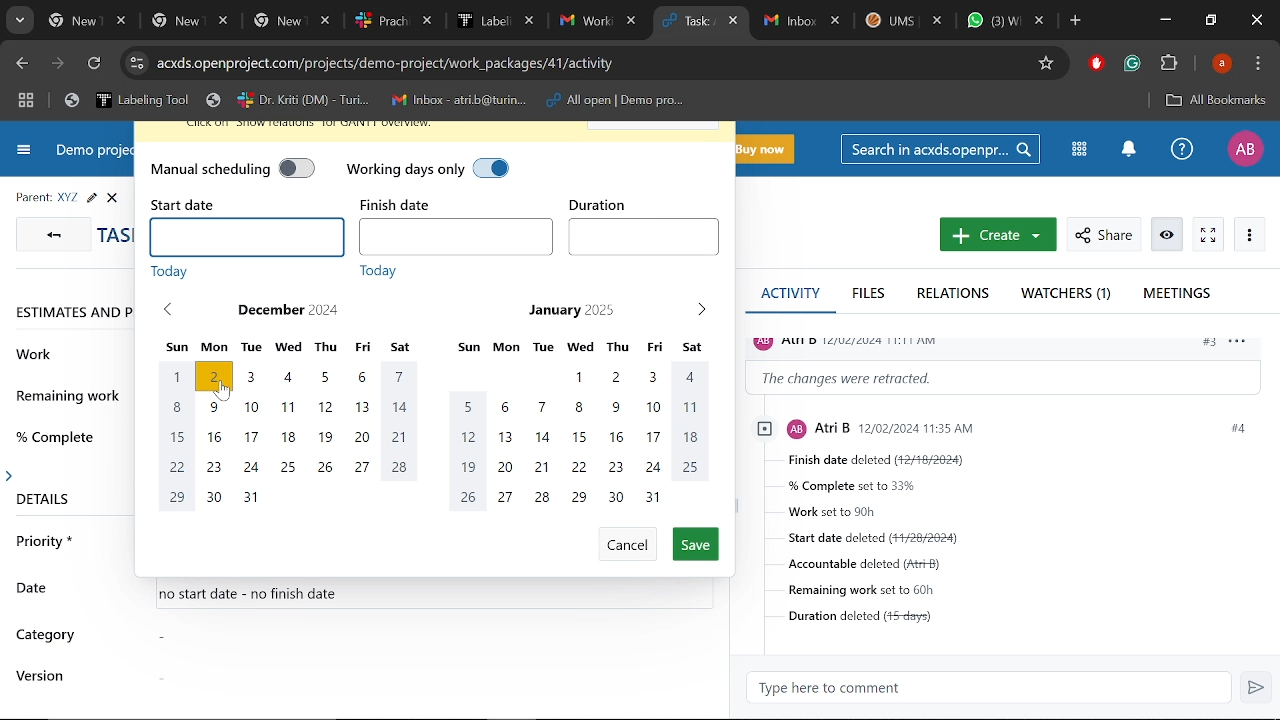 Image resolution: width=1280 pixels, height=720 pixels. I want to click on working days only, so click(491, 167).